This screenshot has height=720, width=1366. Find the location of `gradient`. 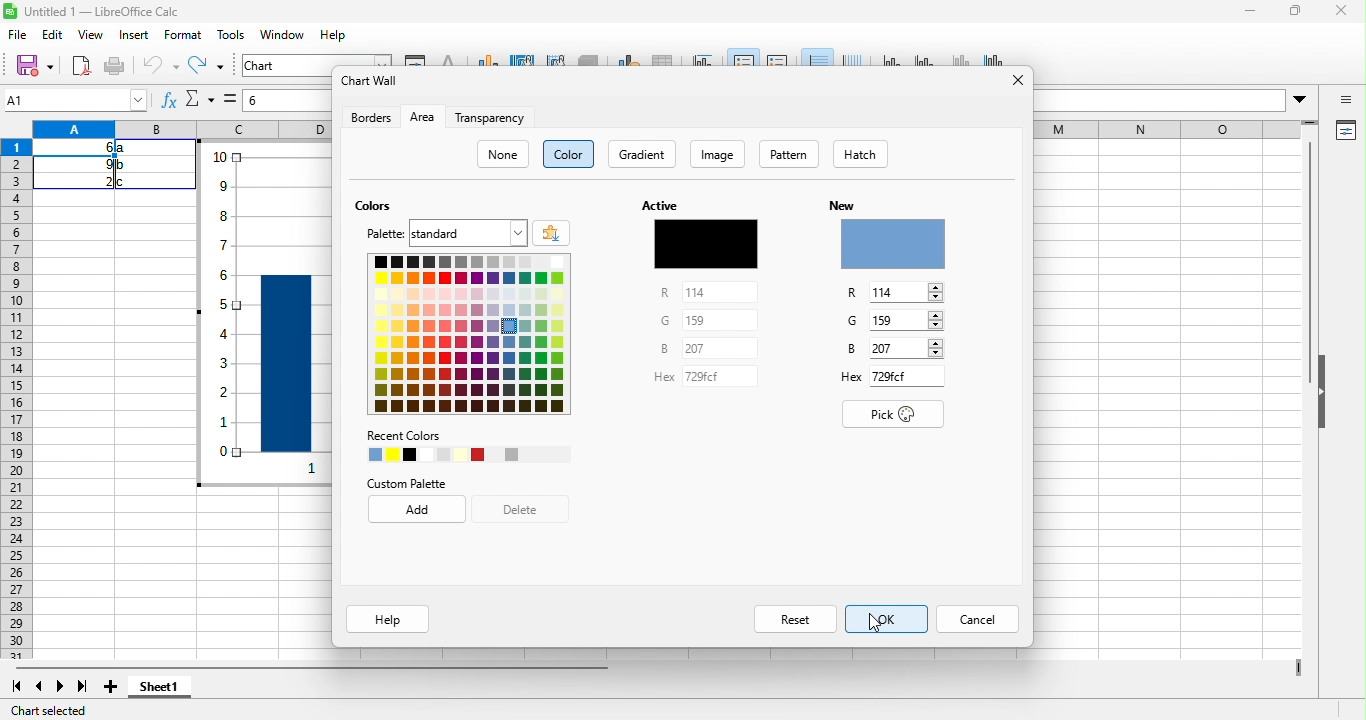

gradient is located at coordinates (643, 154).